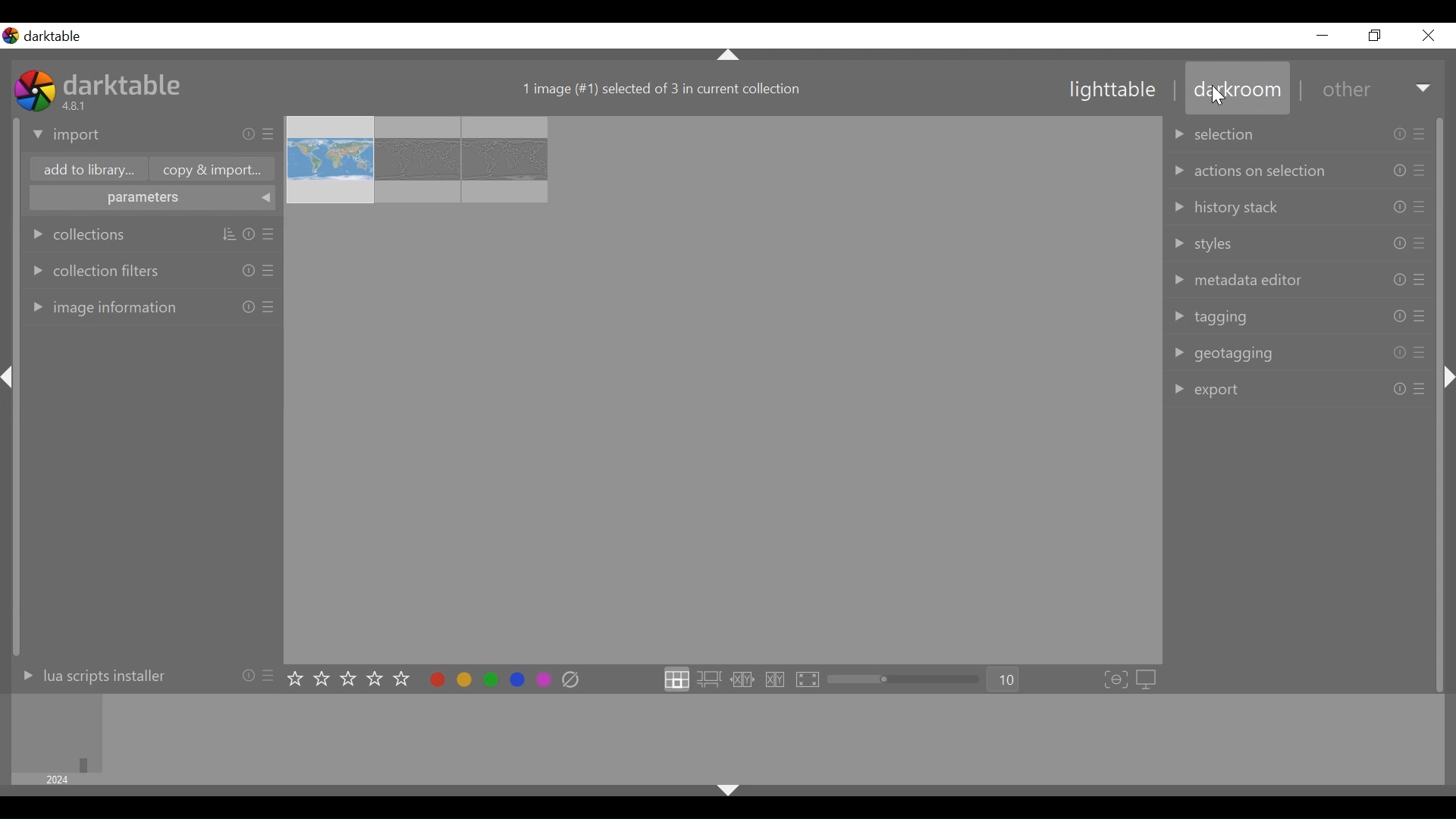  I want to click on click to enter culling layout in fixed mode, so click(742, 680).